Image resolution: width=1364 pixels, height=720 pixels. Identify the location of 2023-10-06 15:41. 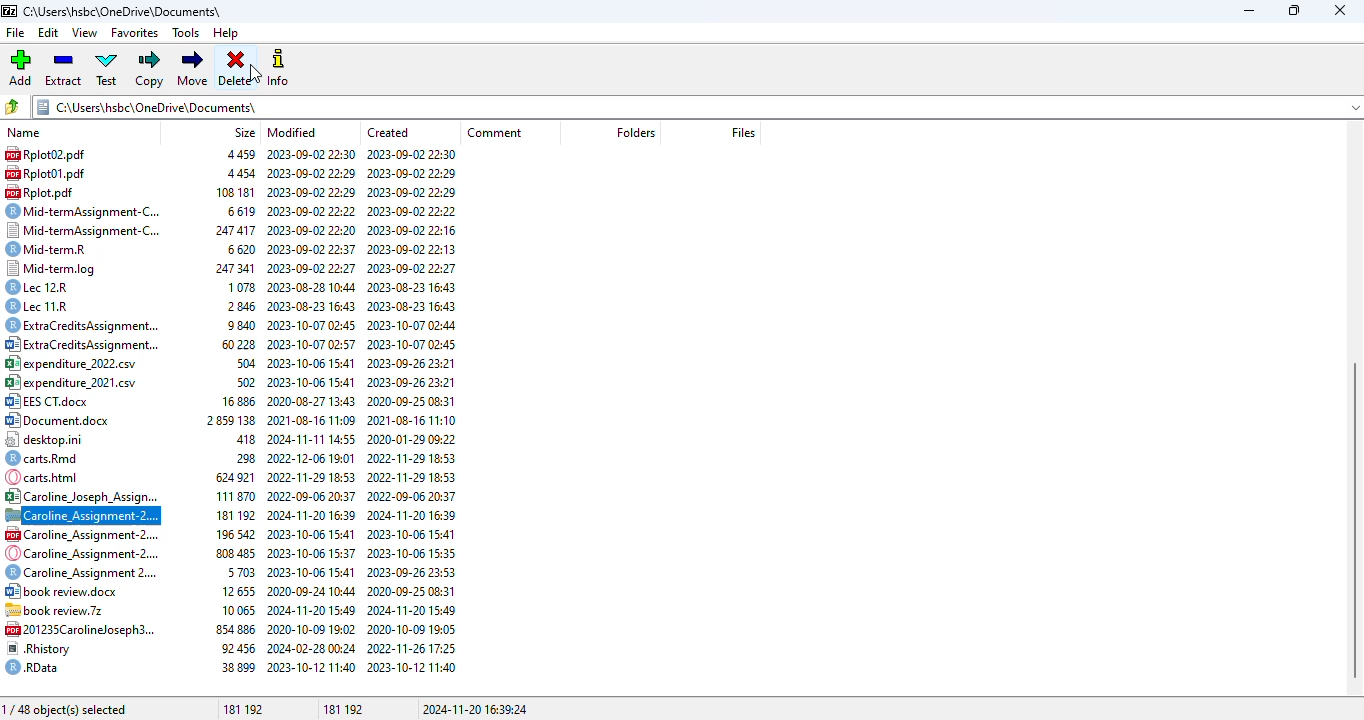
(313, 363).